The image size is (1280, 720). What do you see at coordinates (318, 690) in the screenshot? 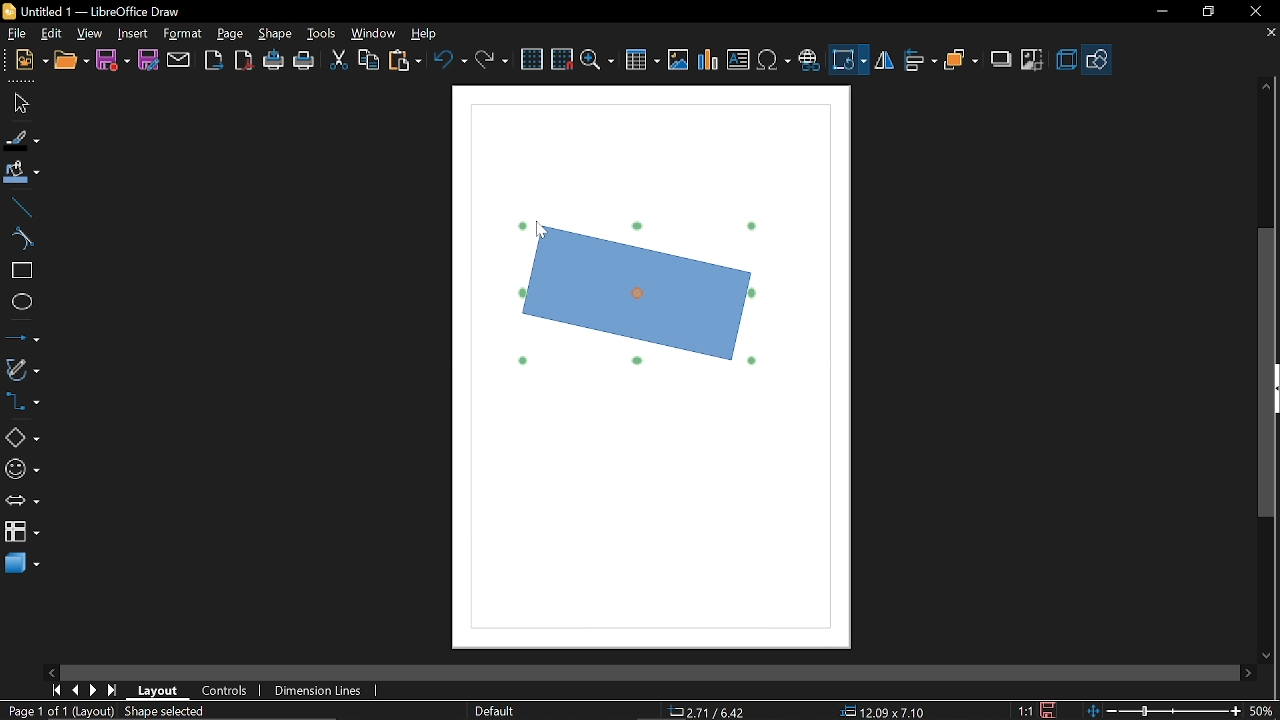
I see `dimension lines` at bounding box center [318, 690].